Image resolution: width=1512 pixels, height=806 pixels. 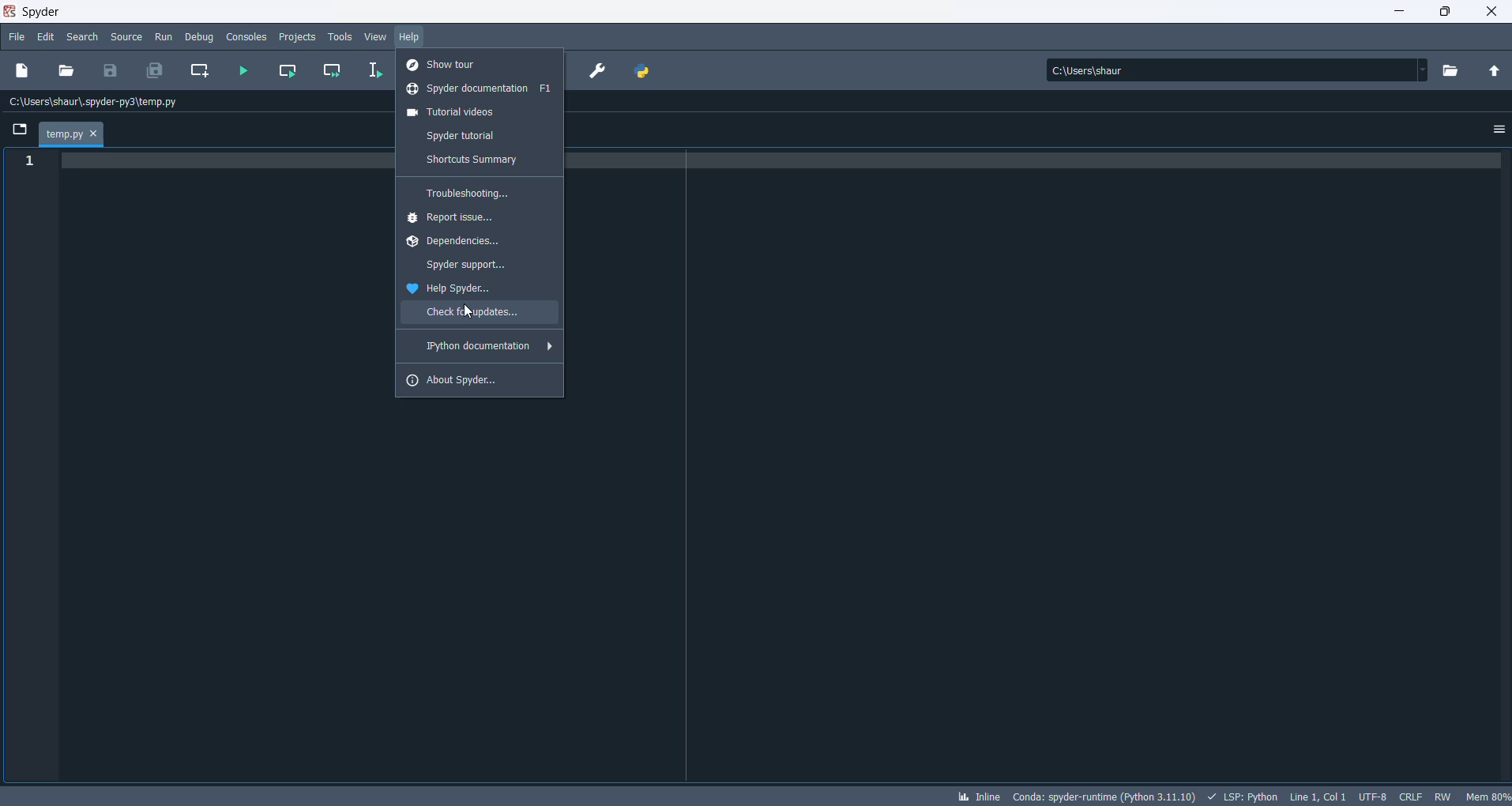 What do you see at coordinates (1496, 133) in the screenshot?
I see `options` at bounding box center [1496, 133].